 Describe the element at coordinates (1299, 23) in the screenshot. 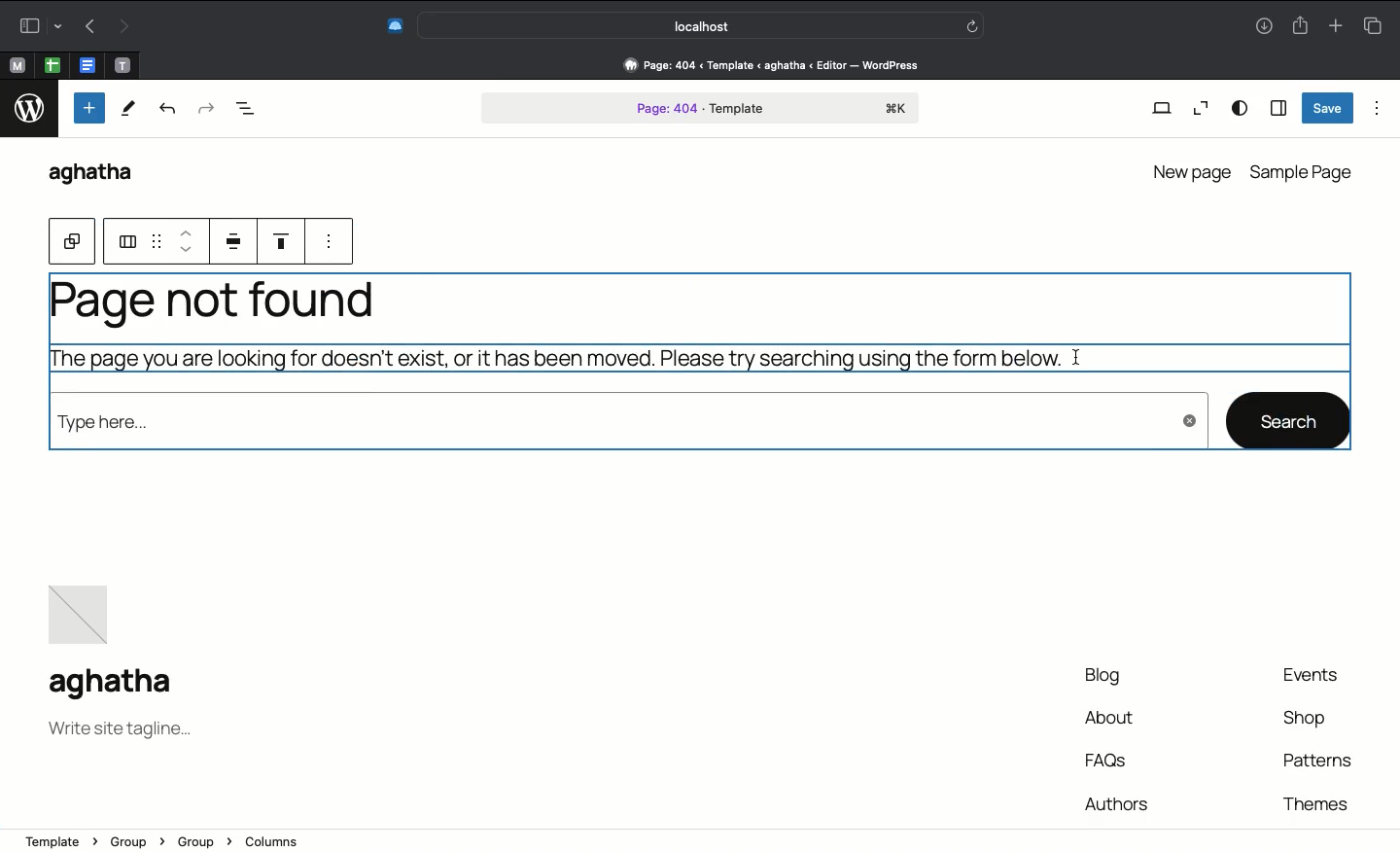

I see `Share` at that location.